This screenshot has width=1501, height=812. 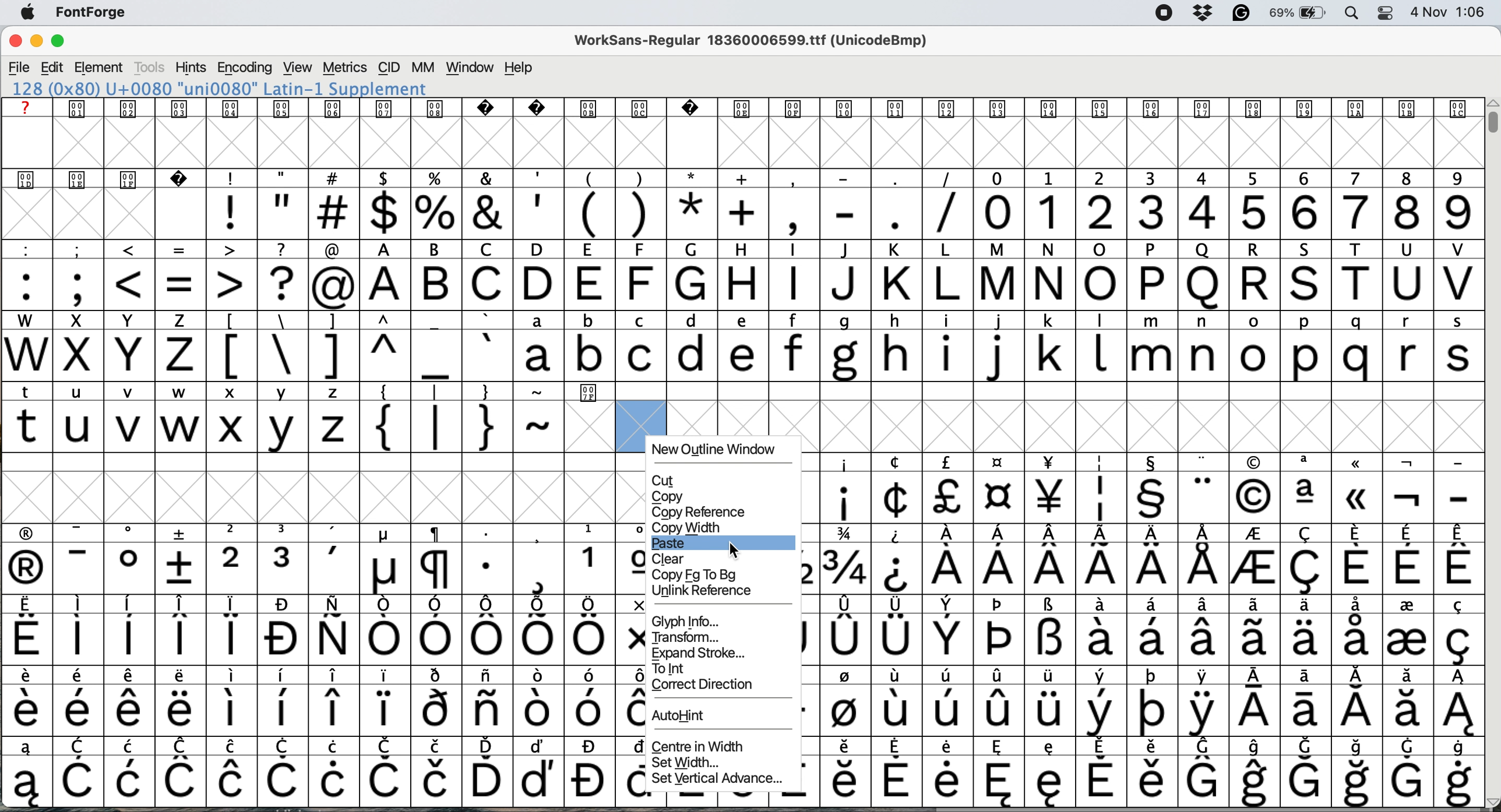 What do you see at coordinates (346, 69) in the screenshot?
I see `metrics` at bounding box center [346, 69].